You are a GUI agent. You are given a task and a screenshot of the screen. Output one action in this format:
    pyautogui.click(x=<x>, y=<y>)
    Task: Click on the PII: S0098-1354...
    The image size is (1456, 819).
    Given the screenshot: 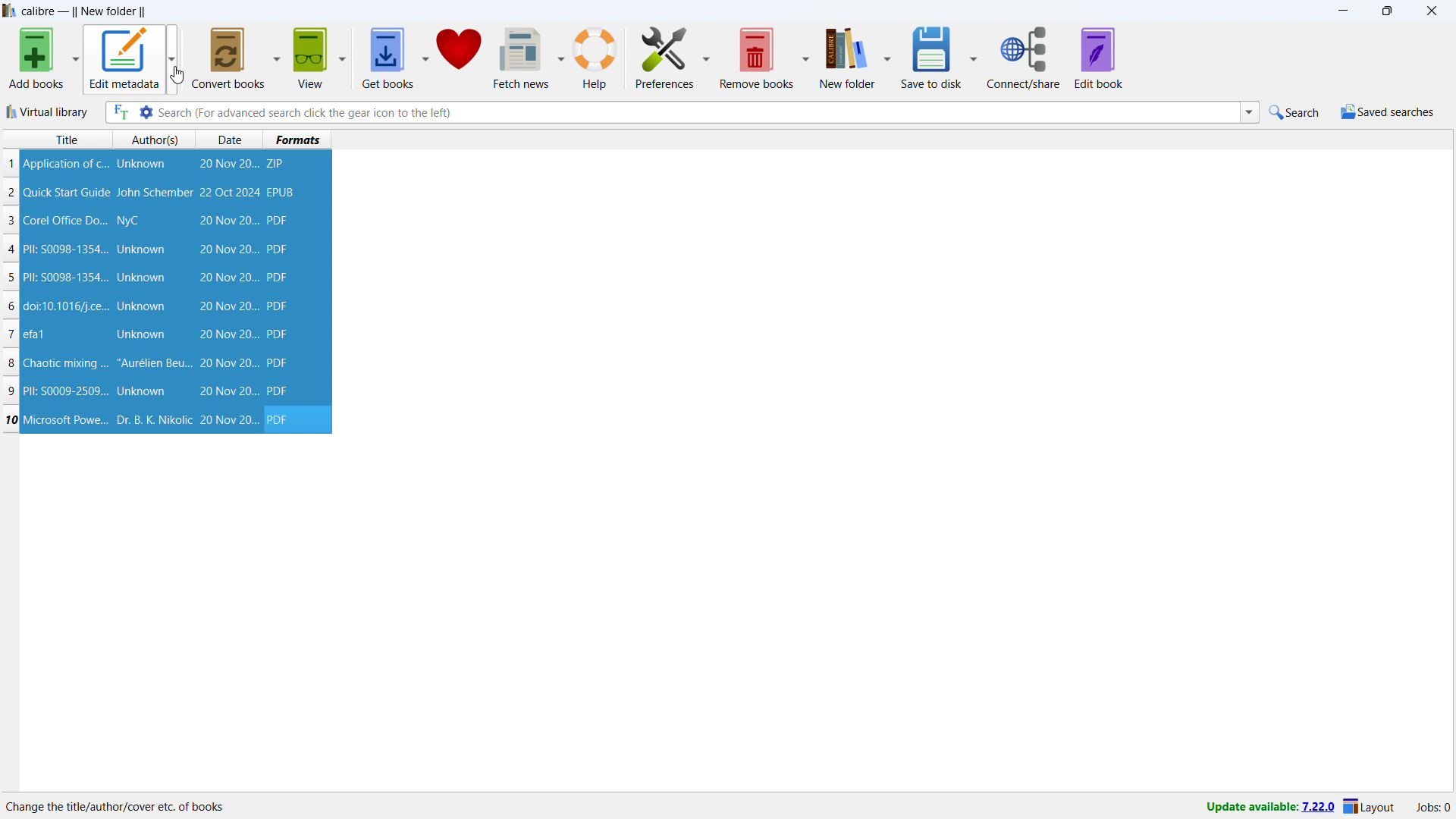 What is the action you would take?
    pyautogui.click(x=66, y=249)
    